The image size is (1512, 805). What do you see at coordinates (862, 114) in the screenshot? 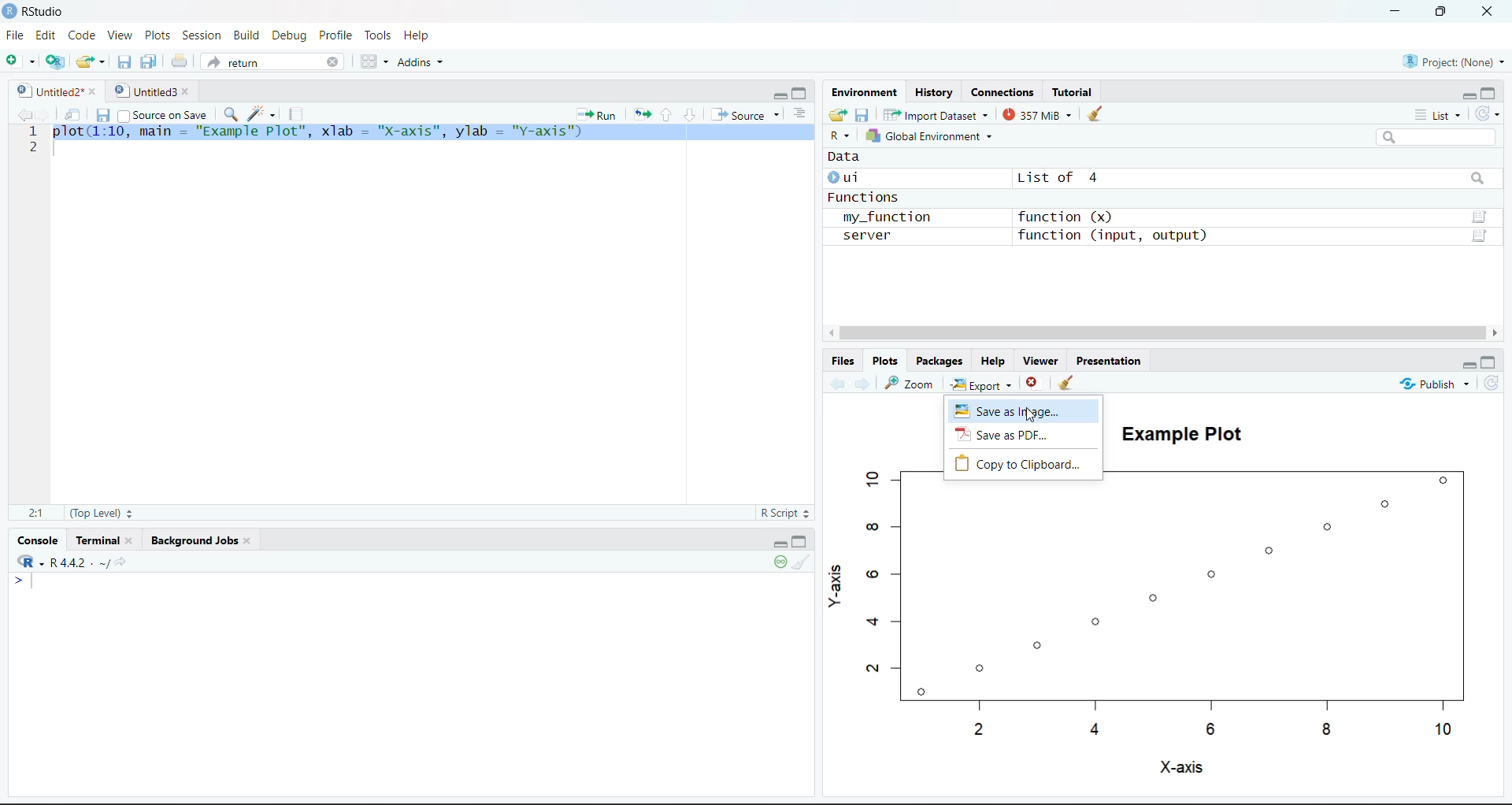
I see `Save workspace as` at bounding box center [862, 114].